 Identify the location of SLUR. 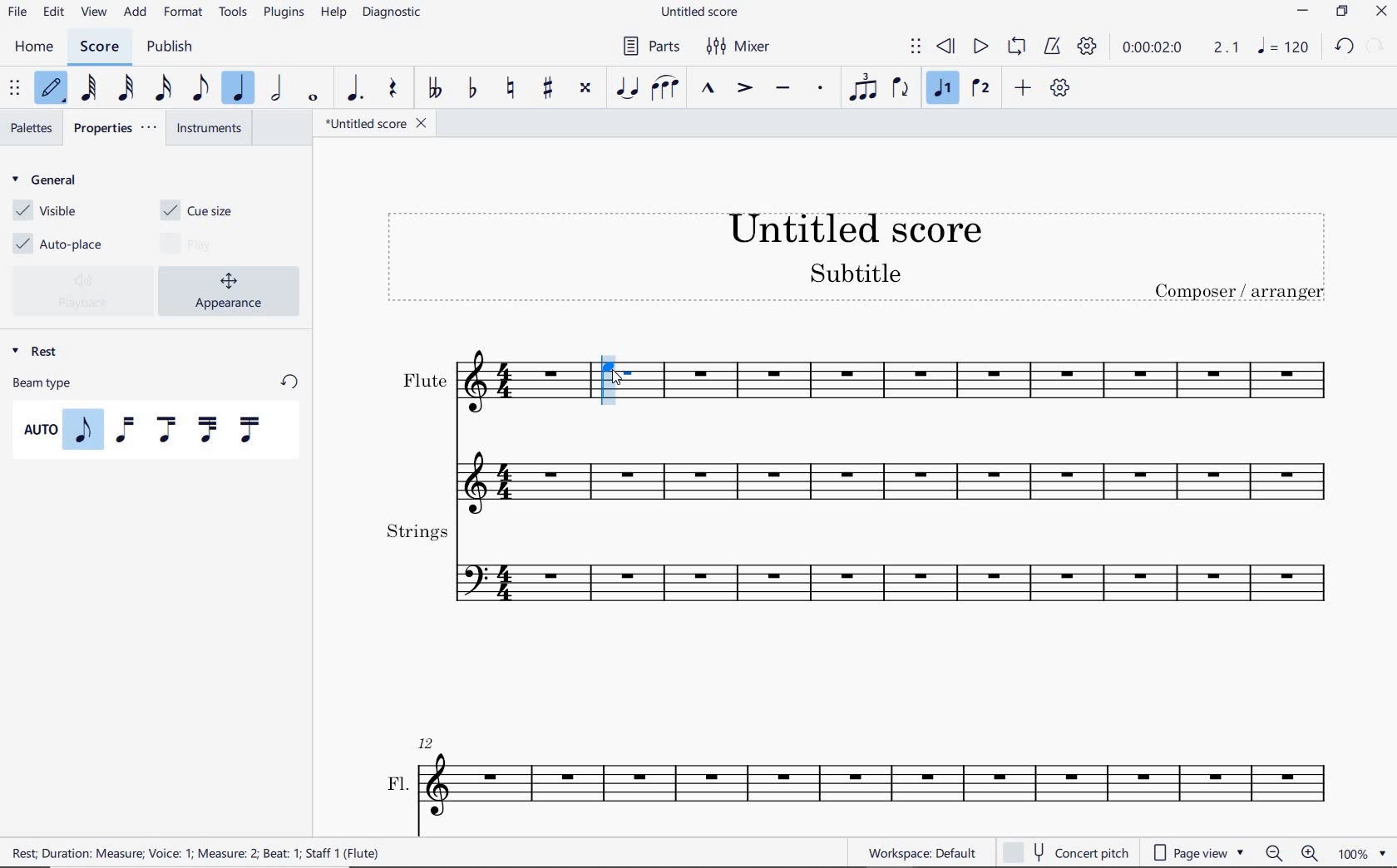
(664, 87).